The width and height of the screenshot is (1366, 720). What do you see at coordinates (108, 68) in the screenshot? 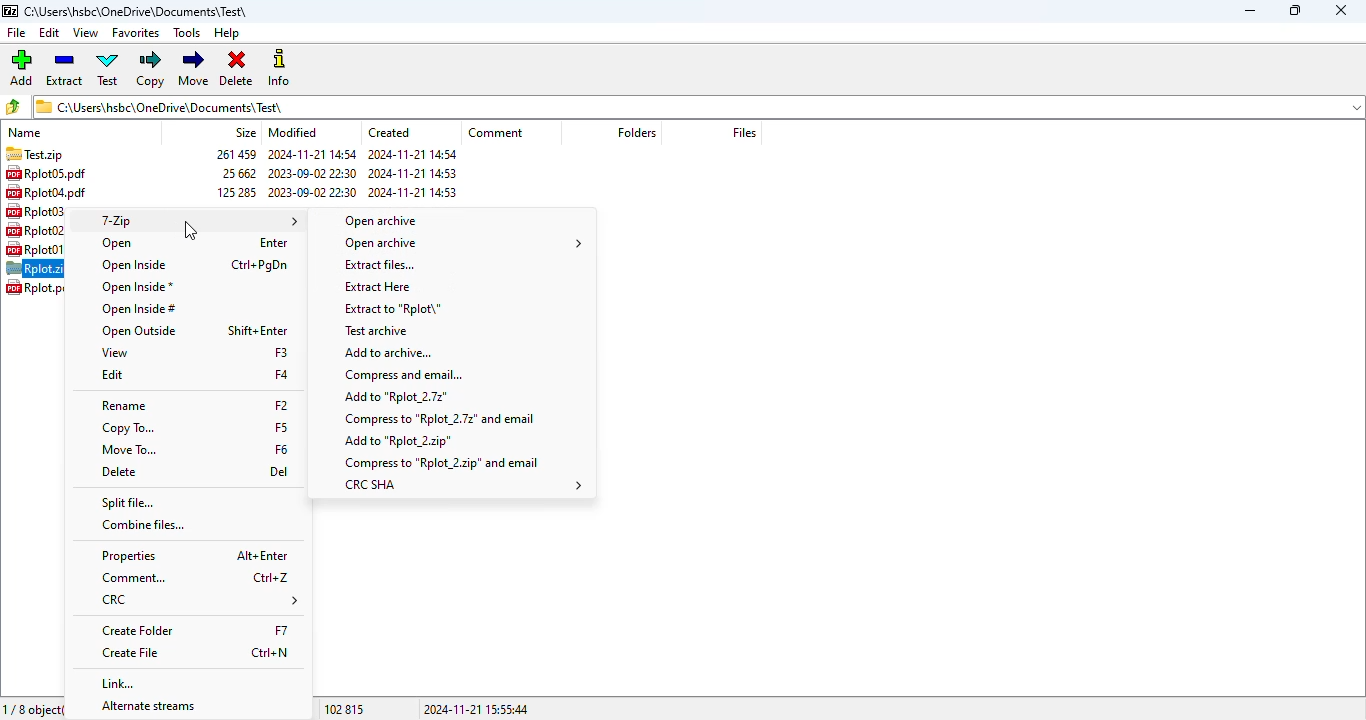
I see `test` at bounding box center [108, 68].